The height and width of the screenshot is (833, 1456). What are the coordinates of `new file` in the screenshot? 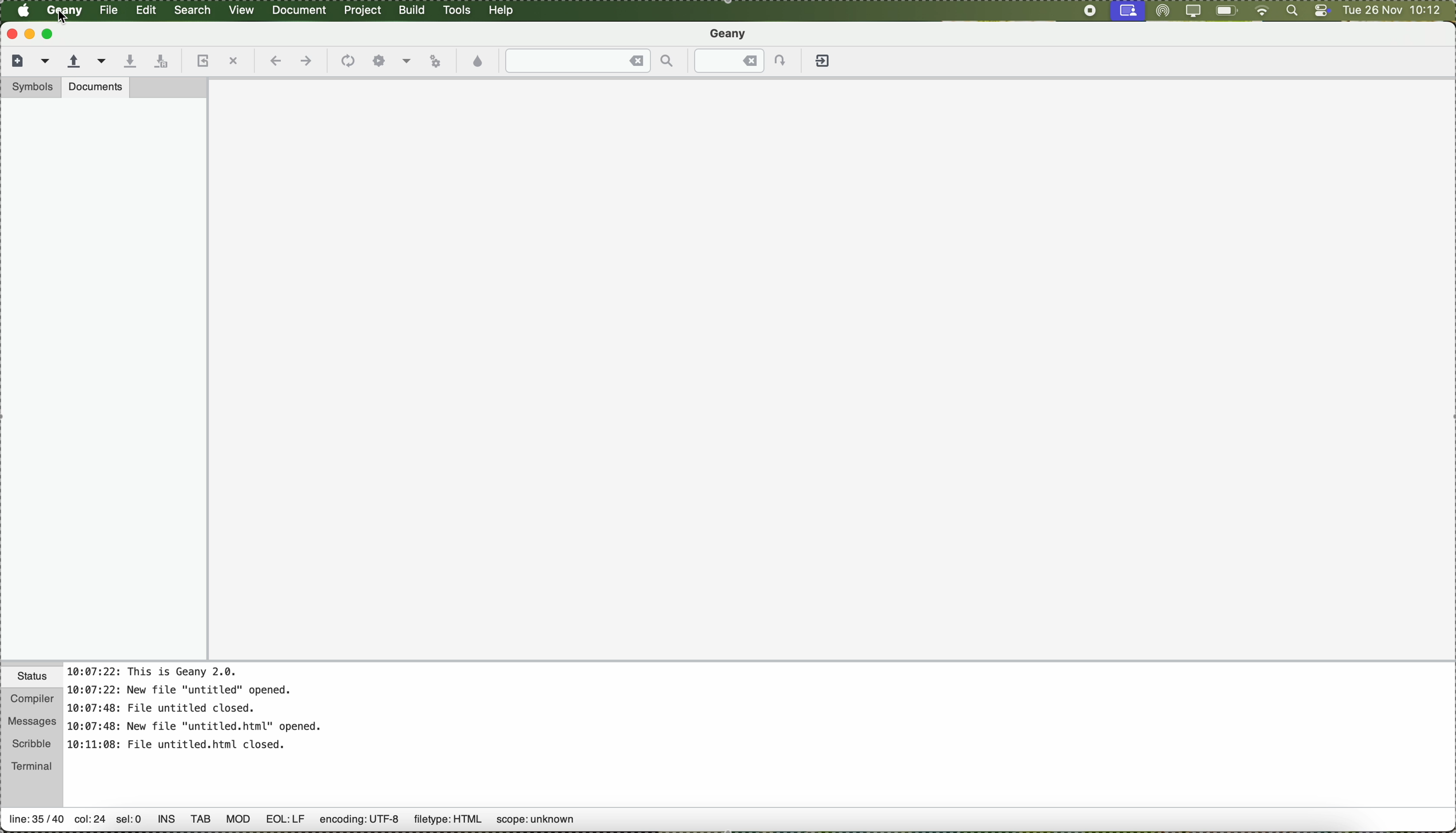 It's located at (18, 64).